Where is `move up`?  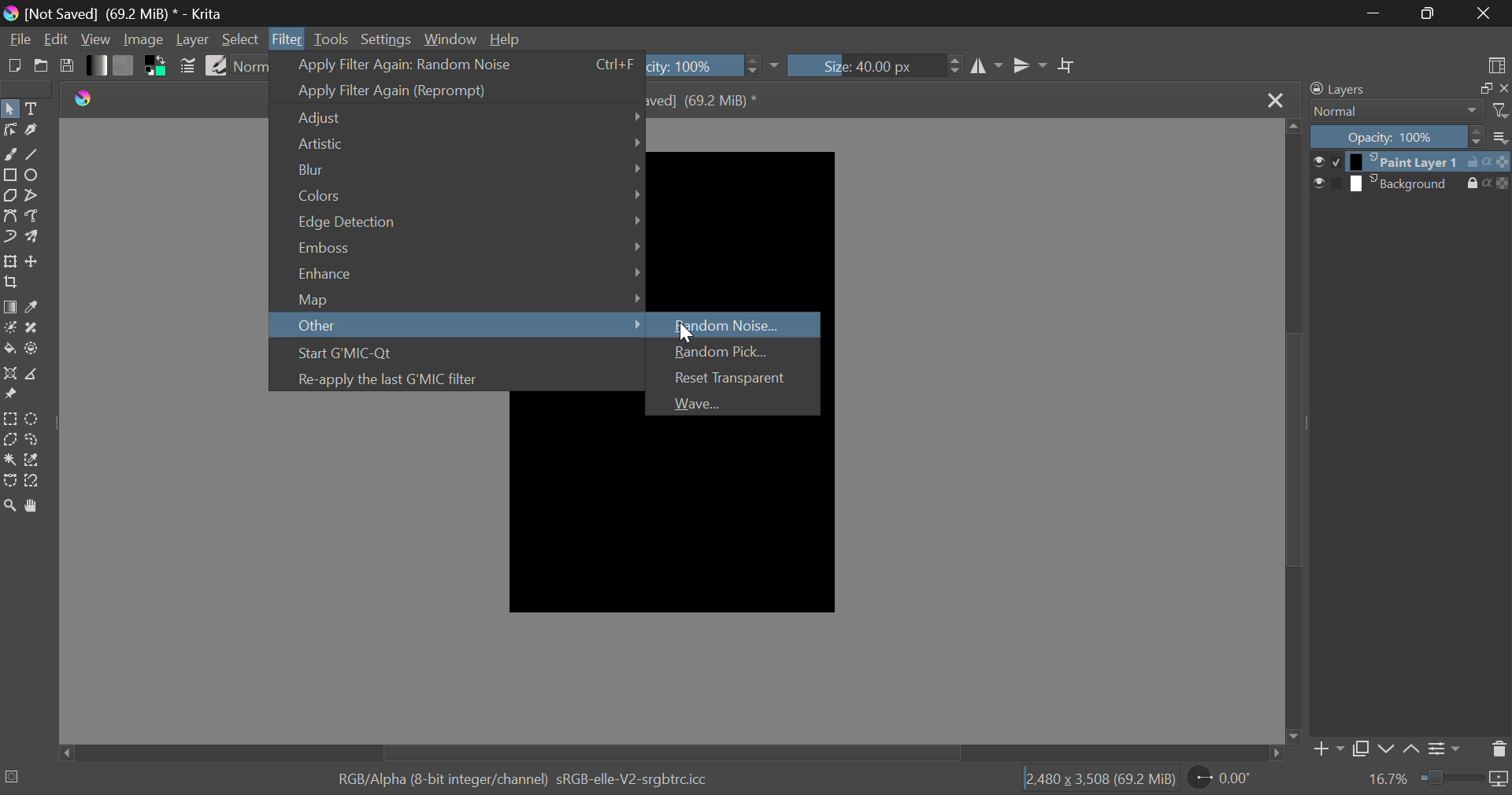 move up is located at coordinates (1291, 128).